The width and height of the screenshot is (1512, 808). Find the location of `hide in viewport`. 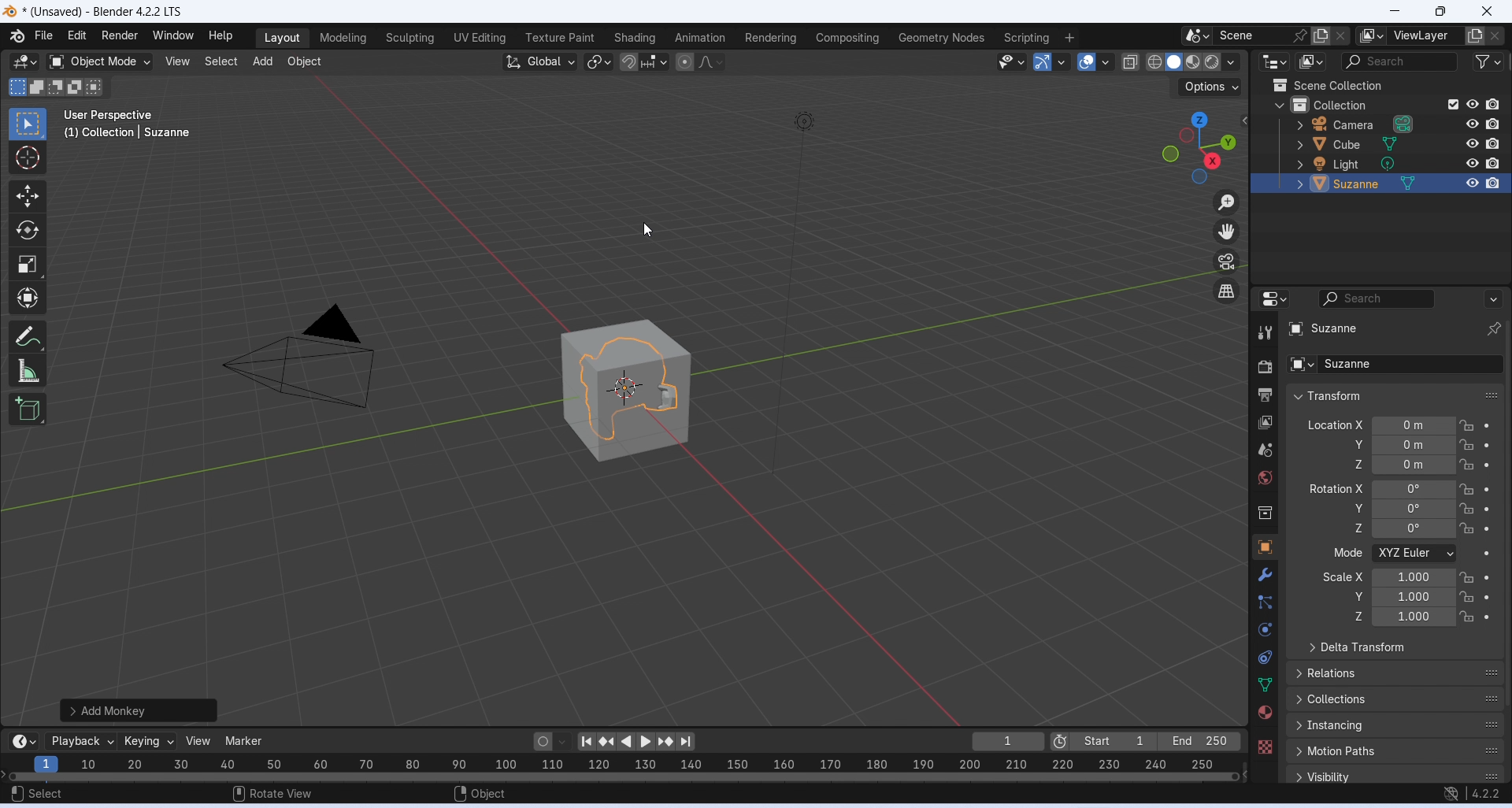

hide in viewport is located at coordinates (1473, 104).